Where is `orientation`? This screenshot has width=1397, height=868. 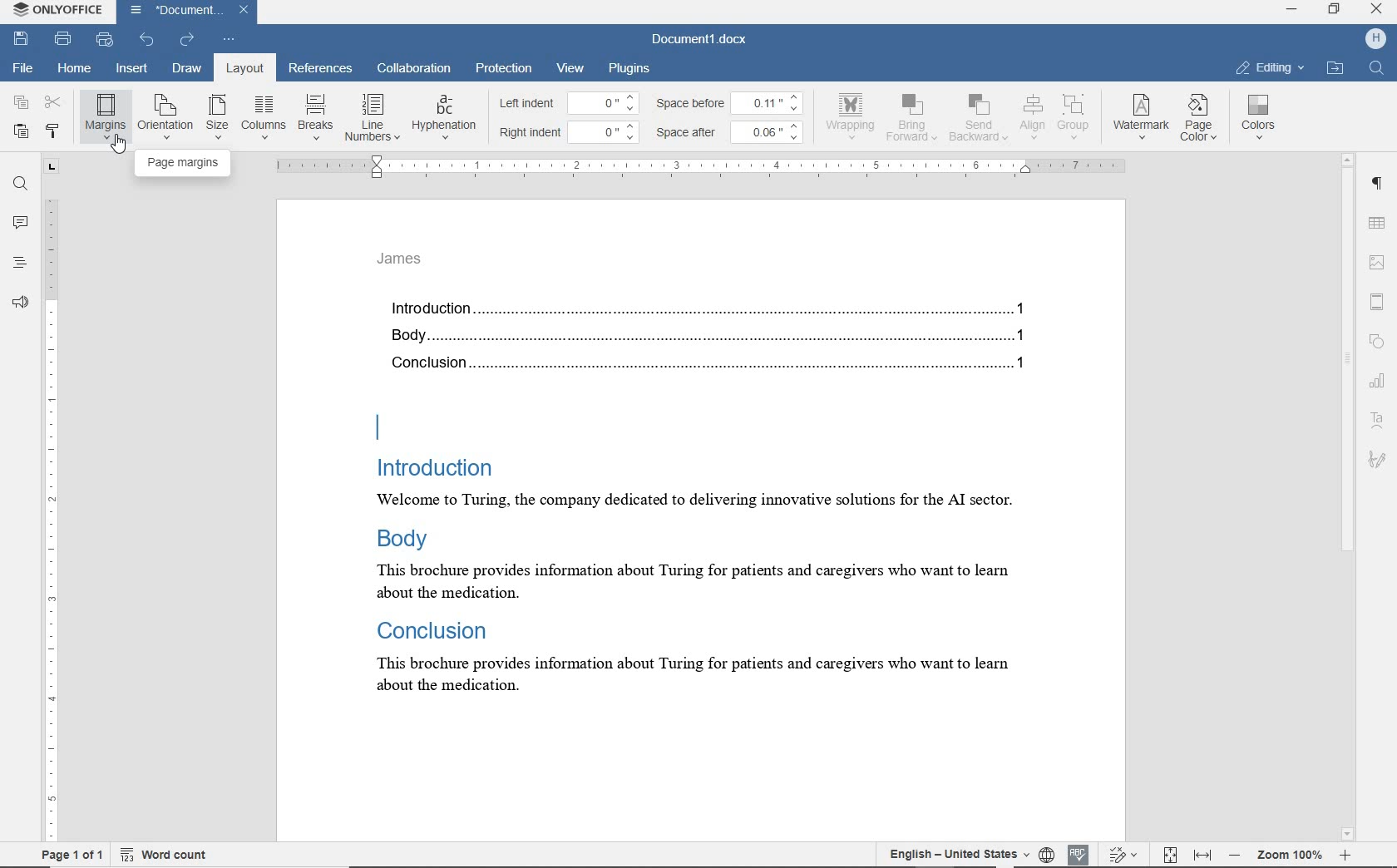 orientation is located at coordinates (165, 116).